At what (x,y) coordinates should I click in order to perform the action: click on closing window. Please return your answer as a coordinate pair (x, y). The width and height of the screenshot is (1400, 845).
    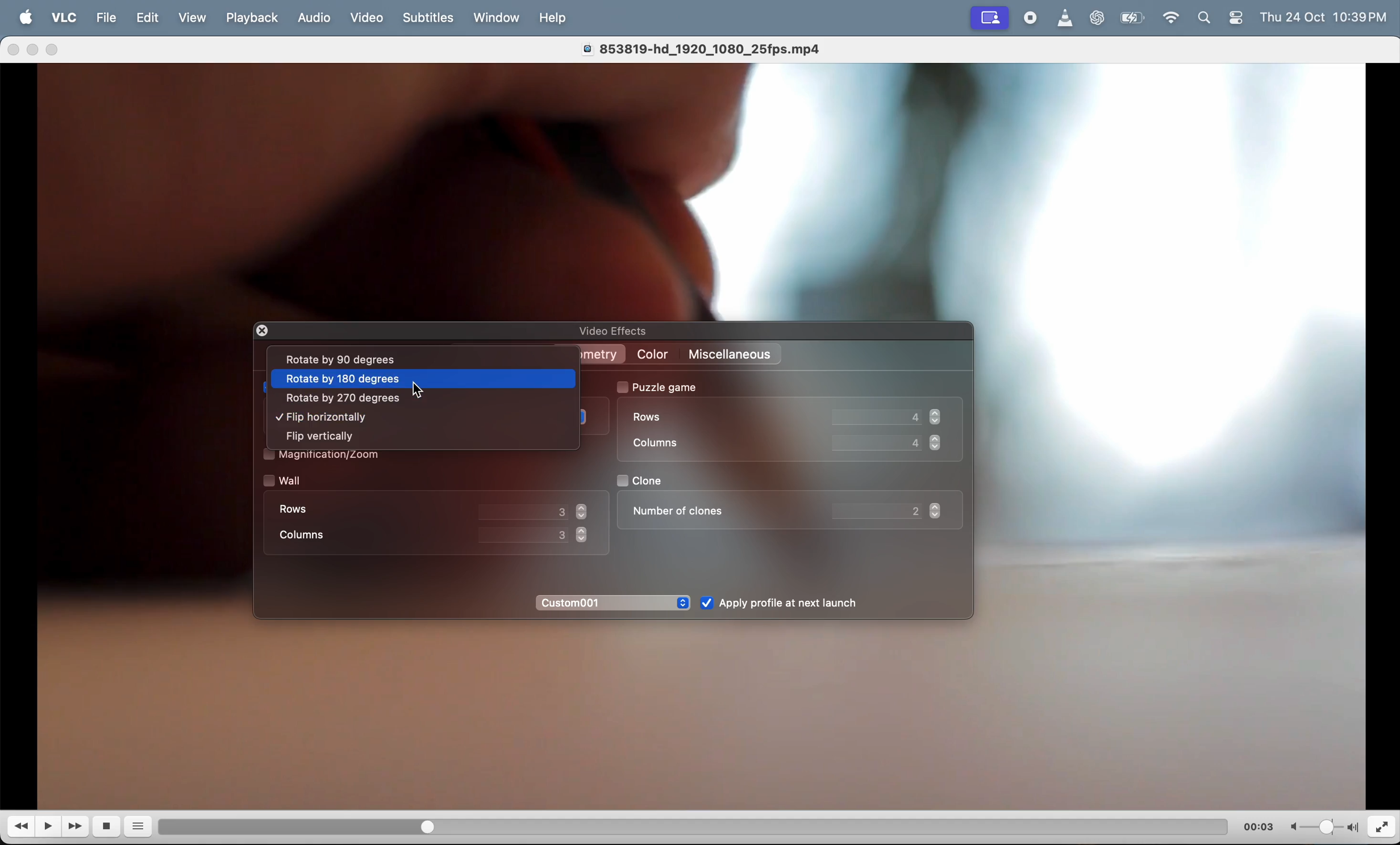
    Looking at the image, I should click on (266, 332).